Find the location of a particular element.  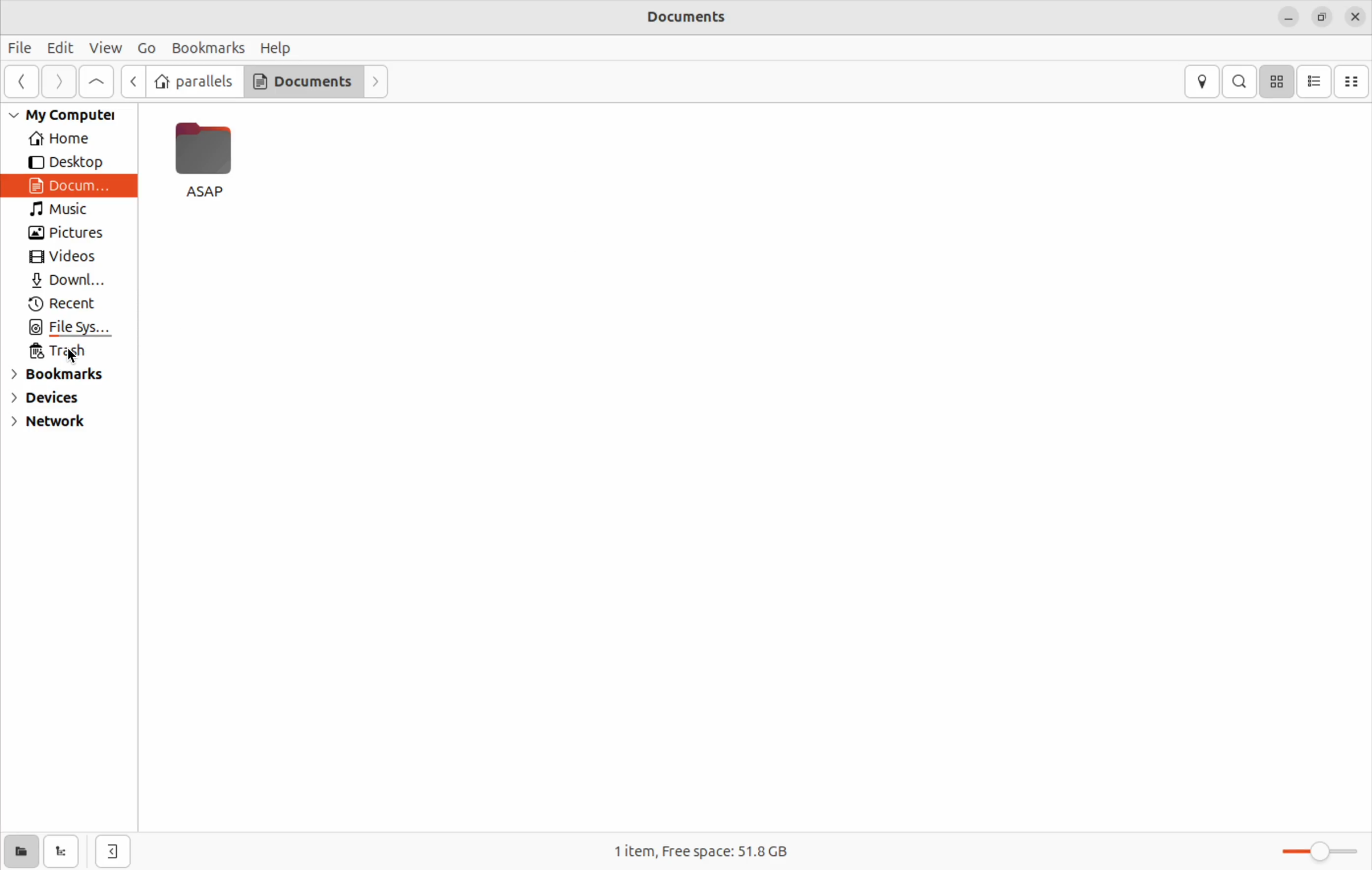

Go is located at coordinates (145, 47).